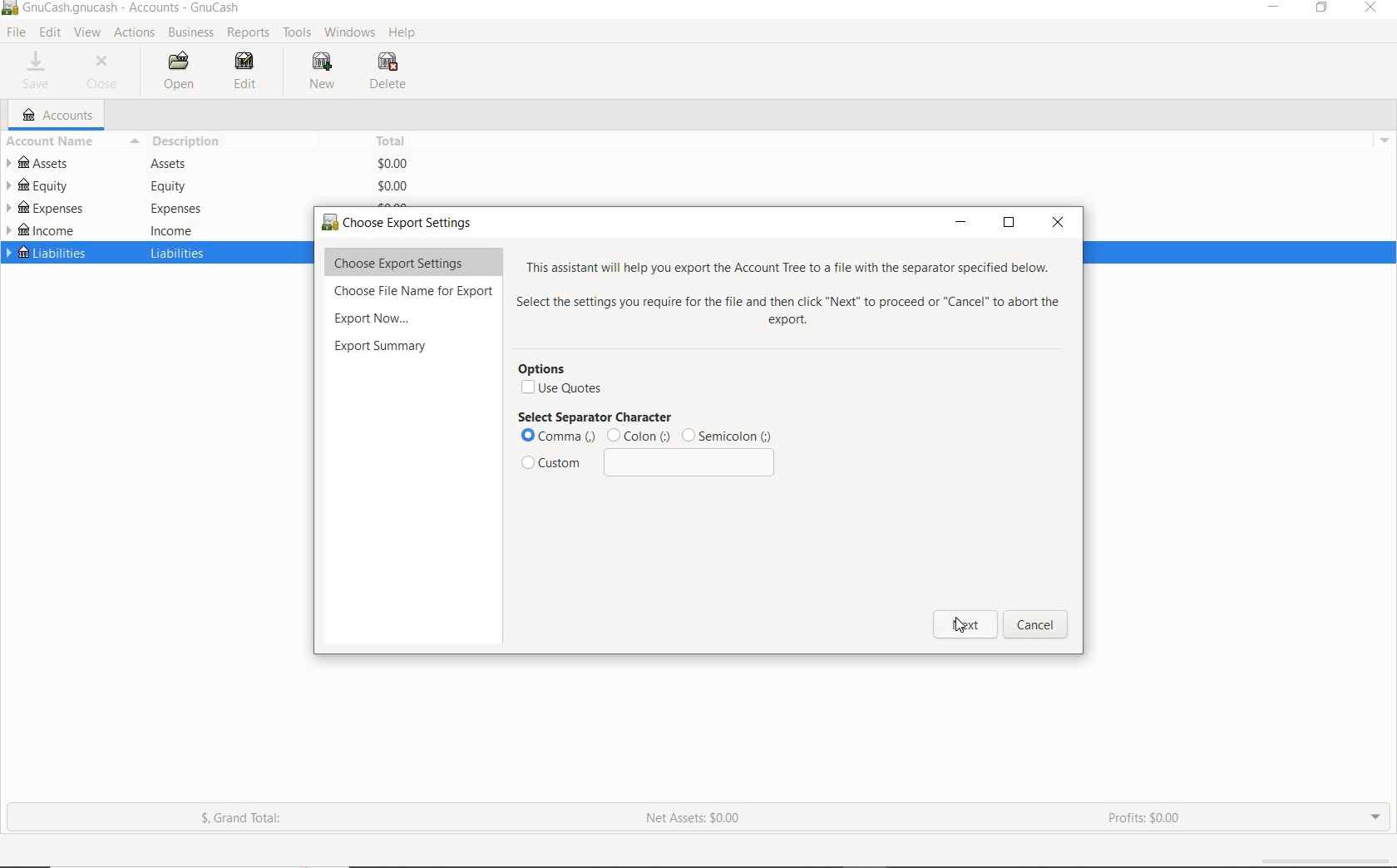  What do you see at coordinates (1039, 624) in the screenshot?
I see `cancel` at bounding box center [1039, 624].